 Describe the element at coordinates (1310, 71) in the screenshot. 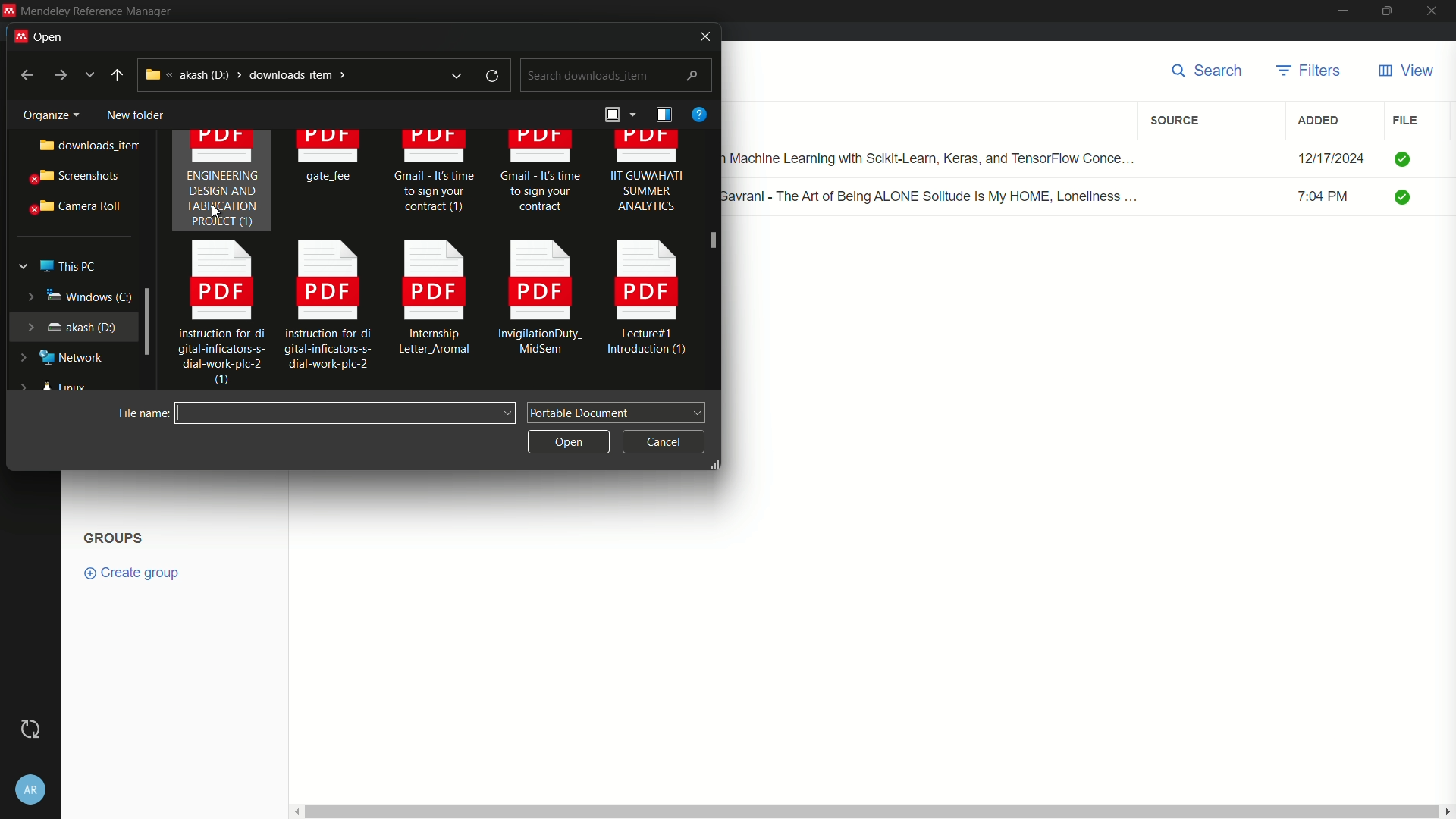

I see `filters` at that location.